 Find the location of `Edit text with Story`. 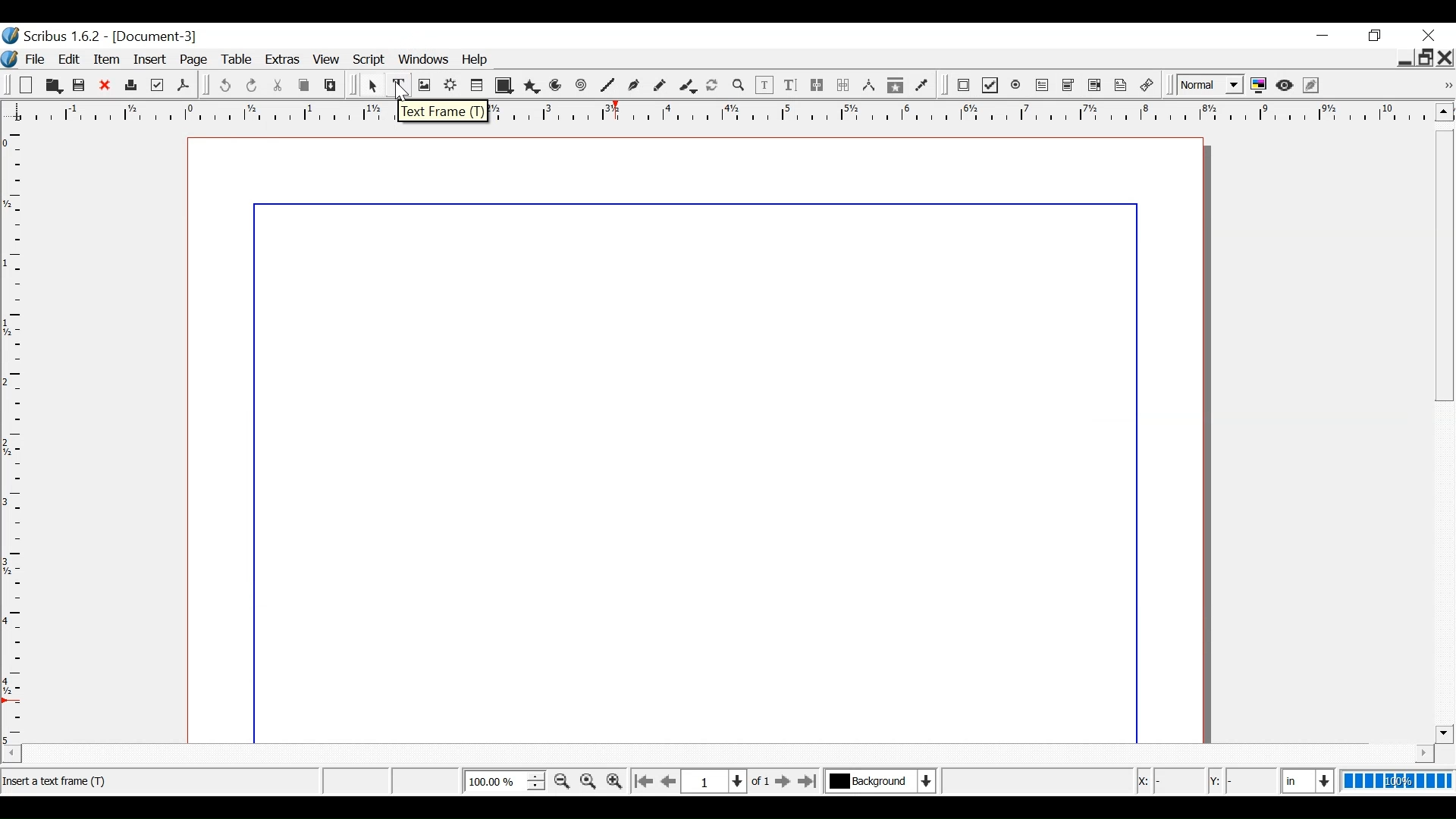

Edit text with Story is located at coordinates (790, 86).